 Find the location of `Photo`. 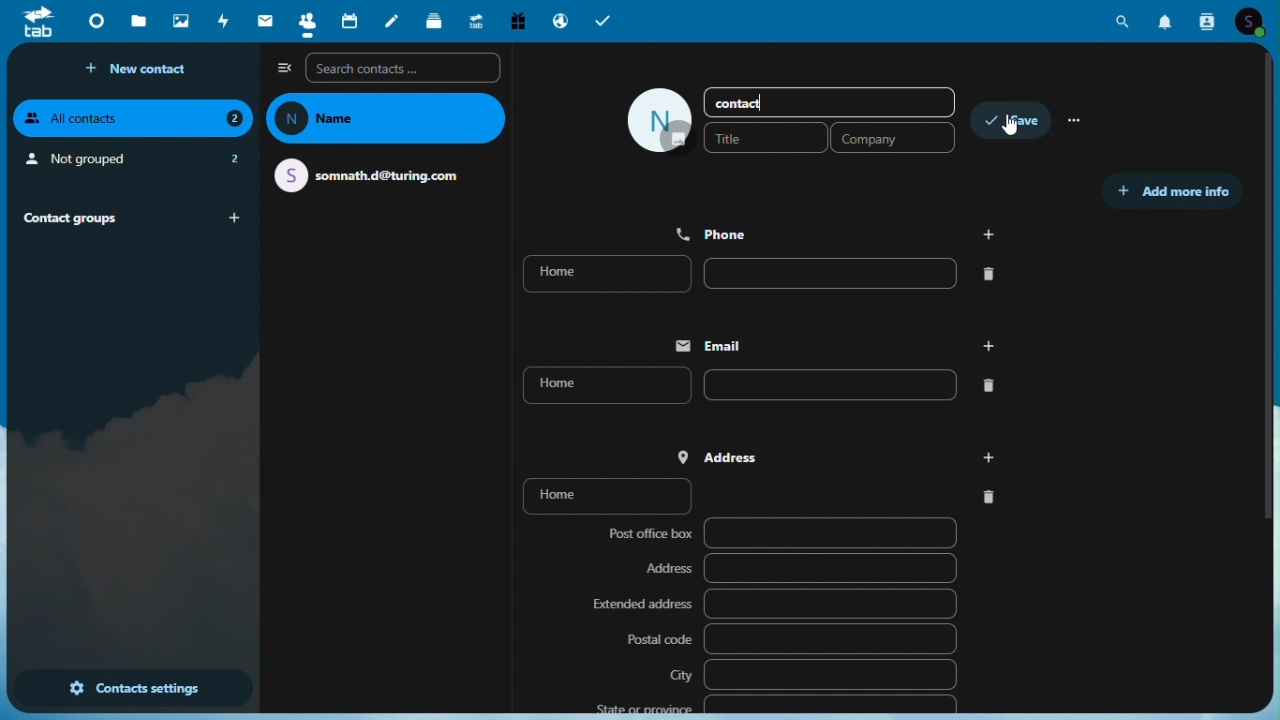

Photo is located at coordinates (180, 21).